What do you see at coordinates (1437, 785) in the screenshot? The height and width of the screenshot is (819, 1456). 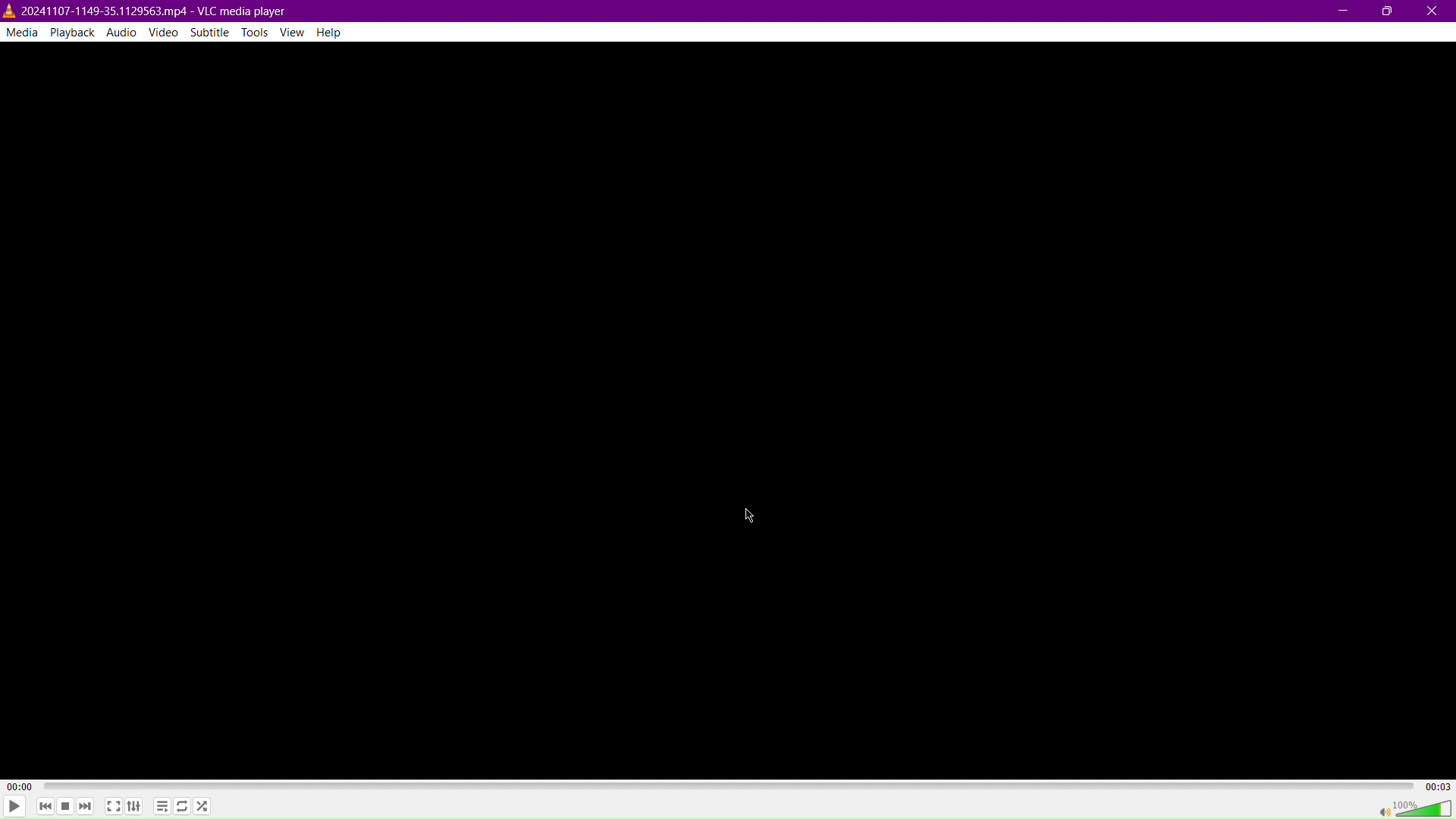 I see `00:03` at bounding box center [1437, 785].